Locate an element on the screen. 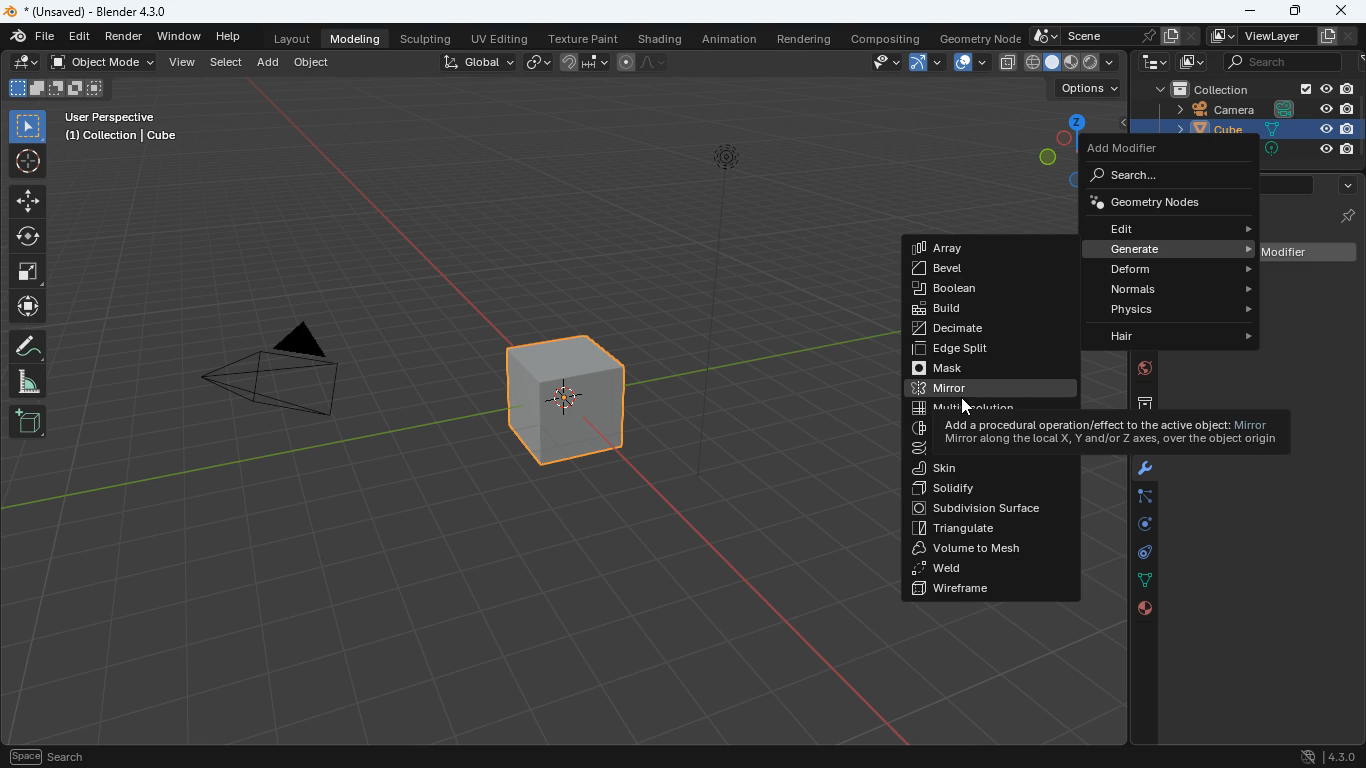 The width and height of the screenshot is (1366, 768). cube is located at coordinates (1194, 128).